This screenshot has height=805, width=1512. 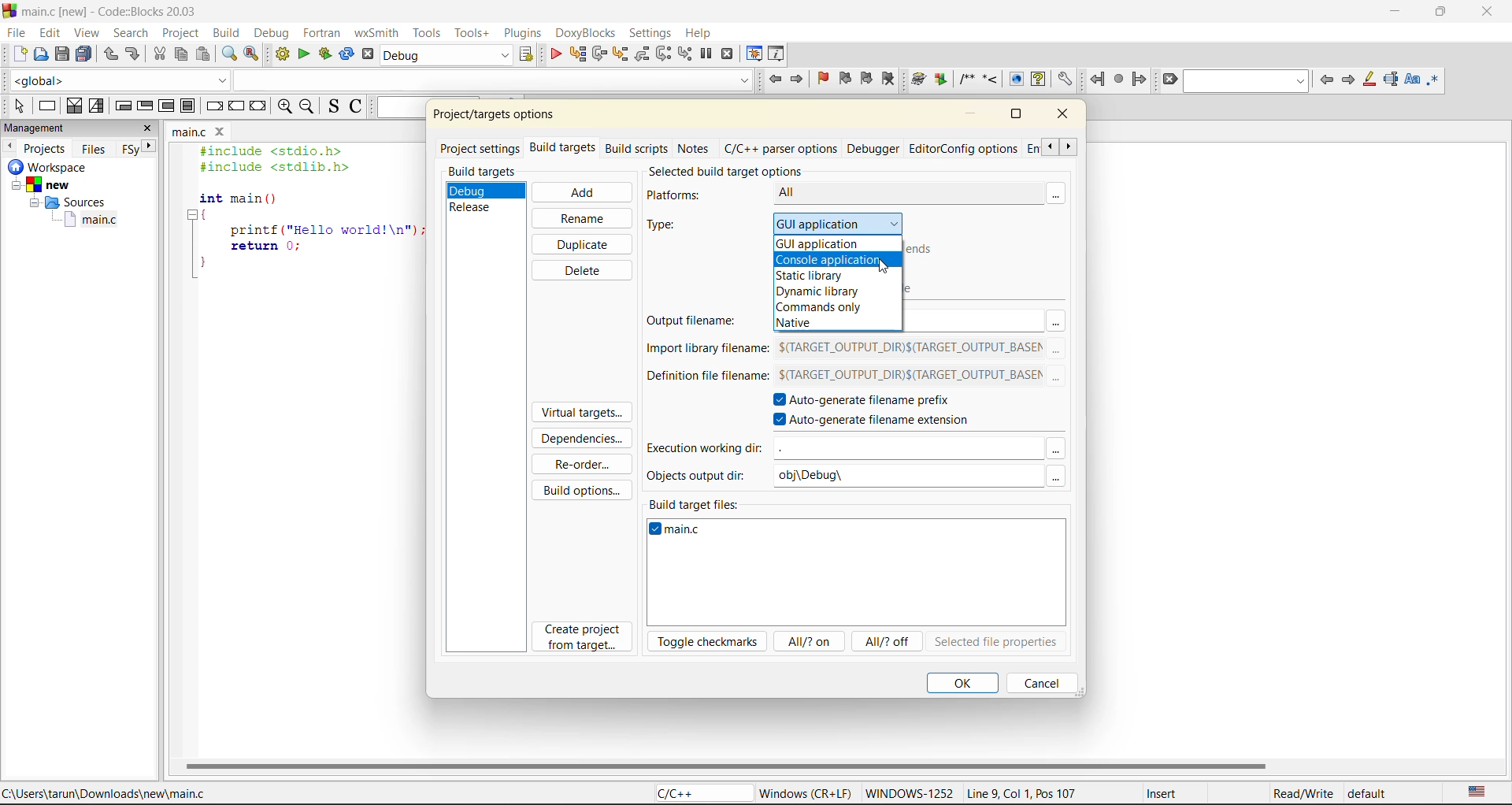 What do you see at coordinates (85, 33) in the screenshot?
I see `view` at bounding box center [85, 33].